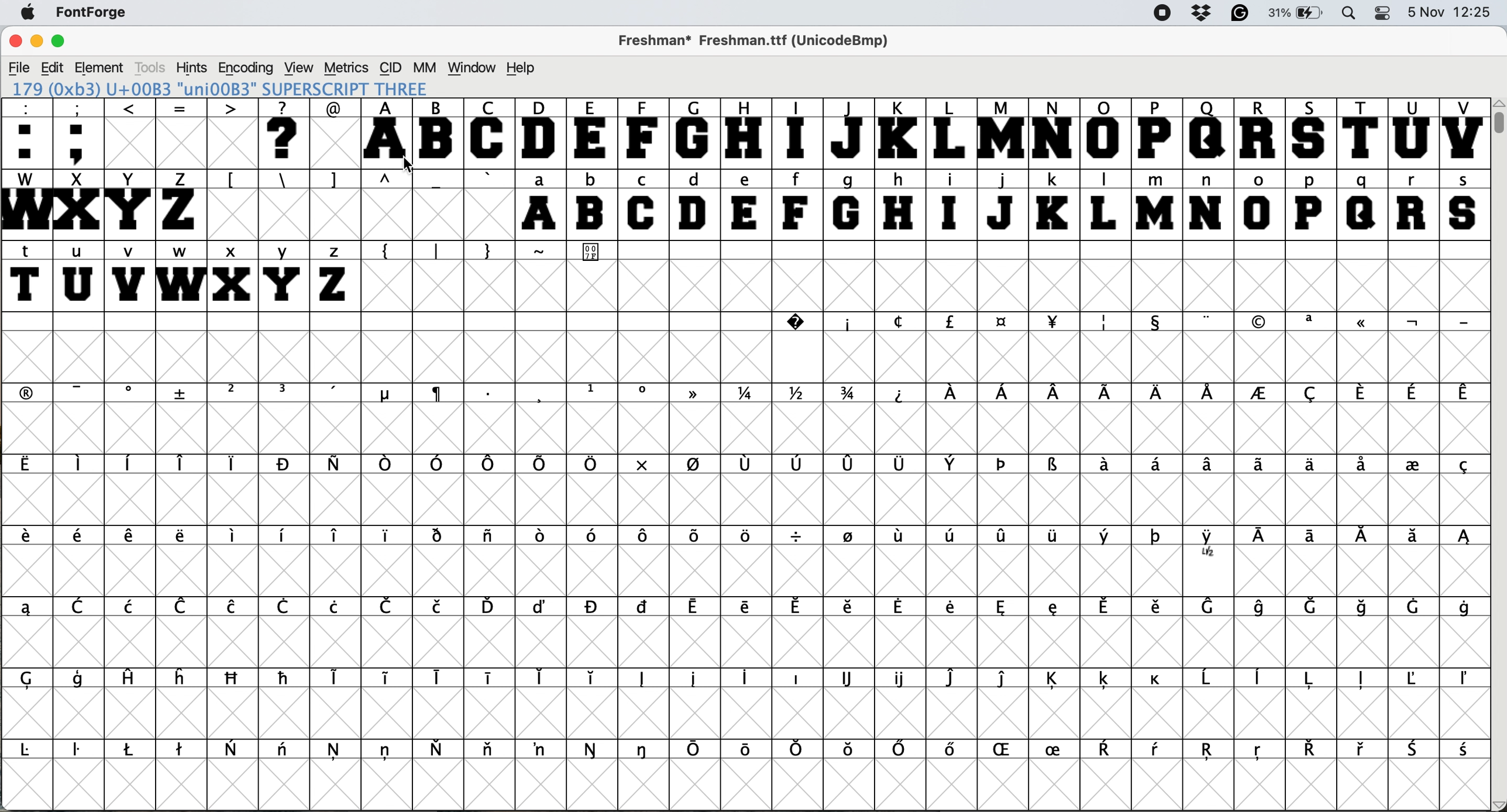  Describe the element at coordinates (847, 205) in the screenshot. I see `g` at that location.